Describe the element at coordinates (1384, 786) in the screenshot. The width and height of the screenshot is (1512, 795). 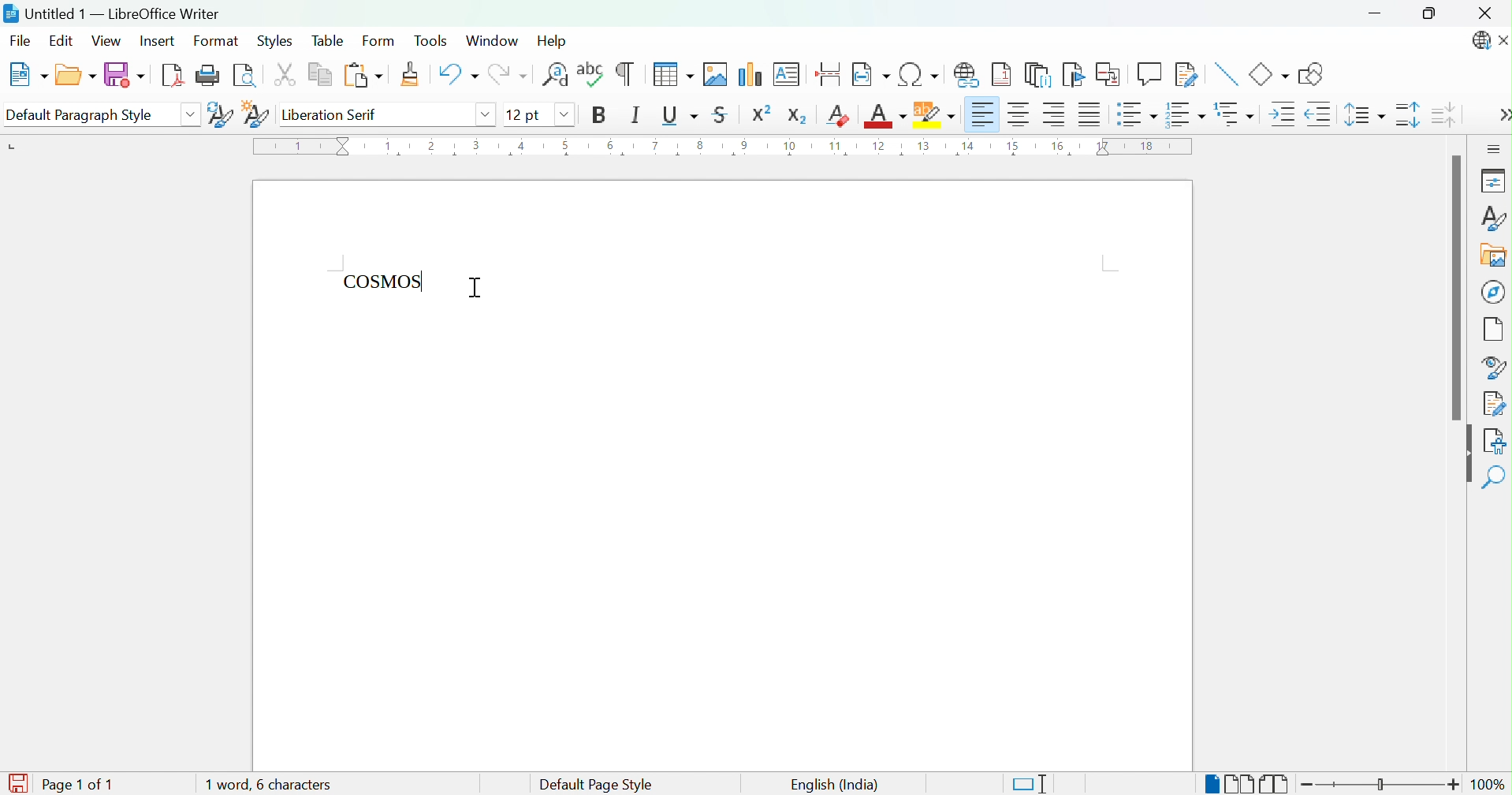
I see `Slider` at that location.